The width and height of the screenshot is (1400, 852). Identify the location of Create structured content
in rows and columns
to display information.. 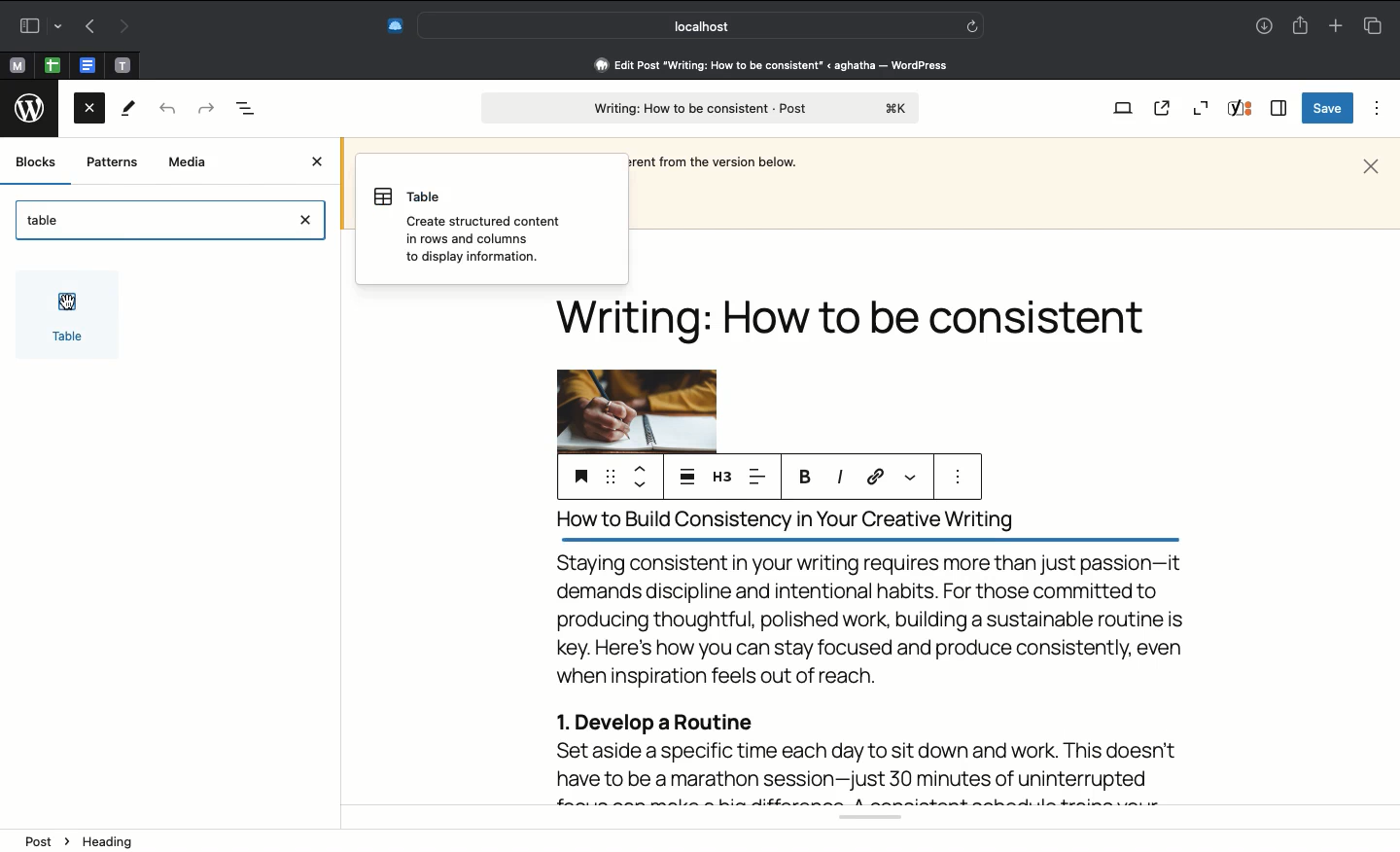
(472, 224).